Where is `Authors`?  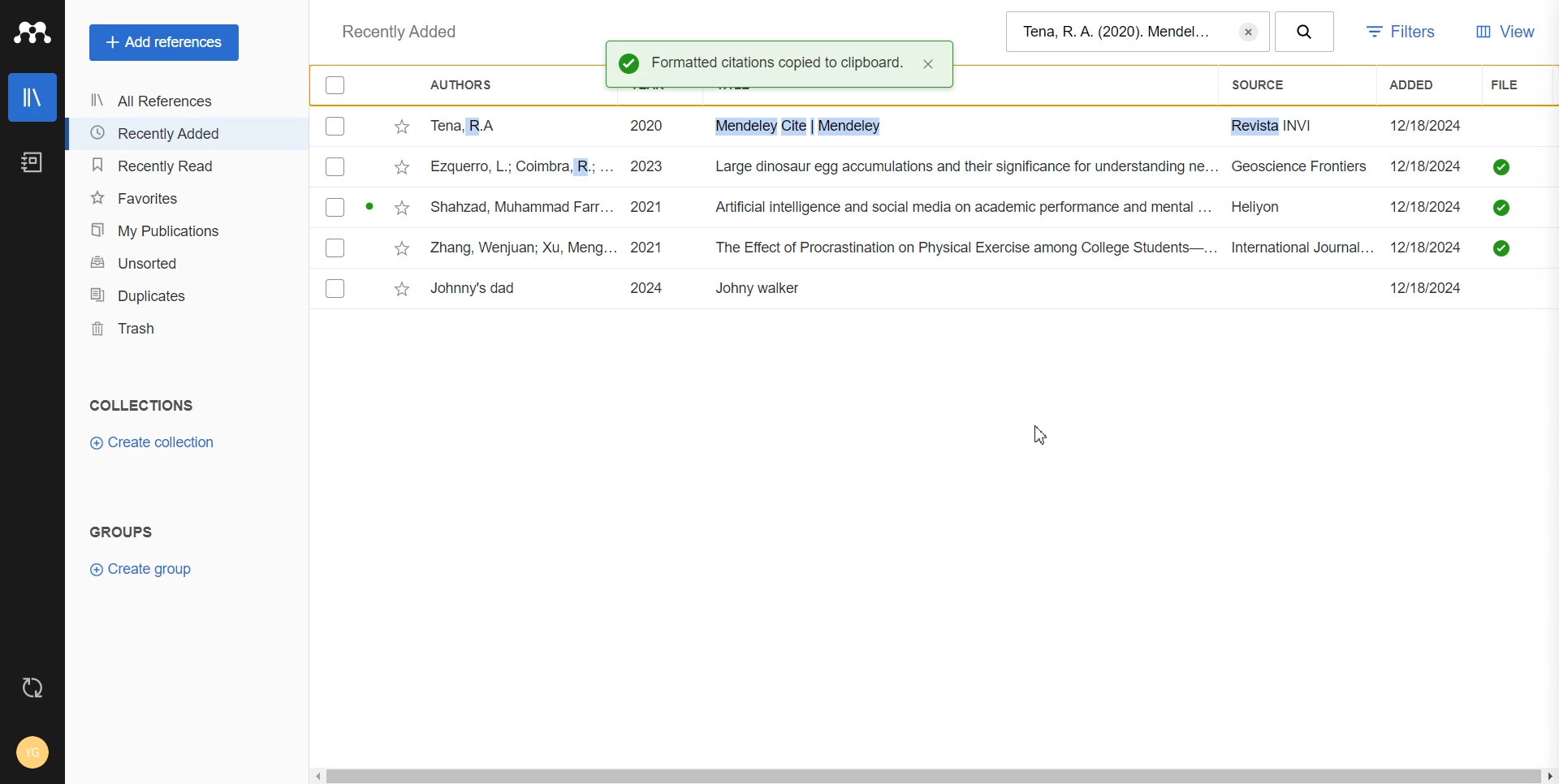 Authors is located at coordinates (460, 84).